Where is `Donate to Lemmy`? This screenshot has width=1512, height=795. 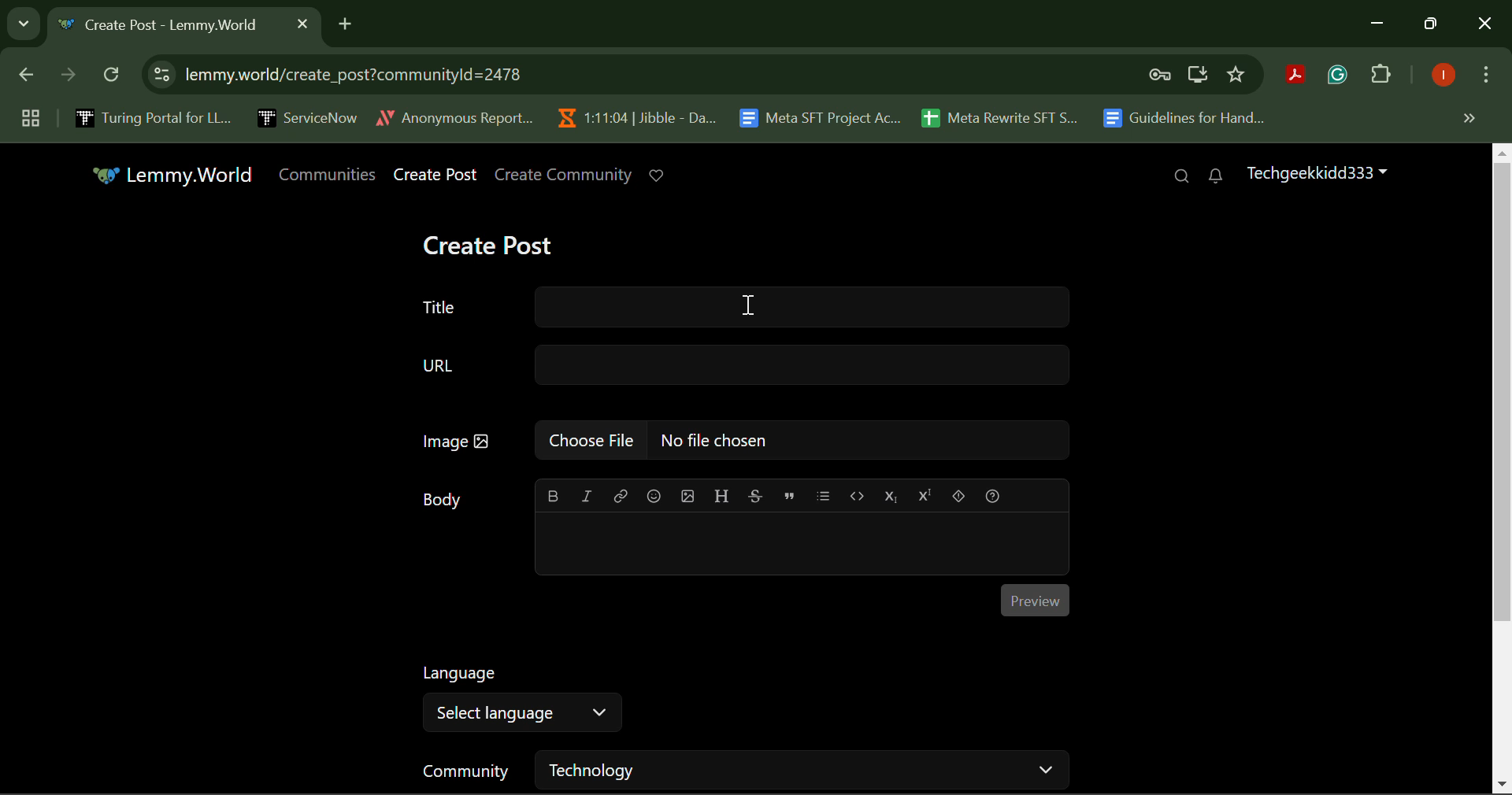 Donate to Lemmy is located at coordinates (658, 176).